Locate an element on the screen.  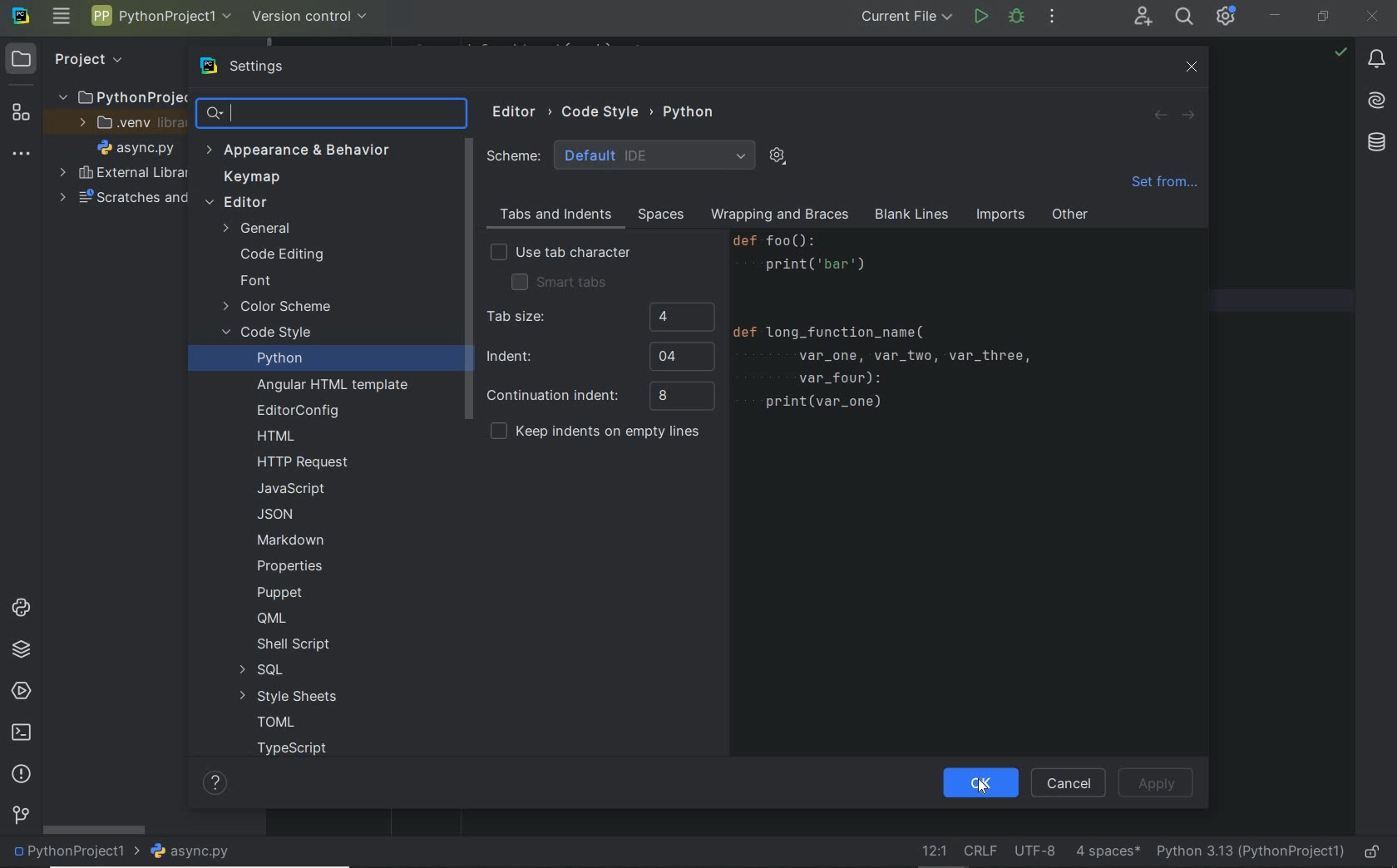
scratches and consoles is located at coordinates (113, 201).